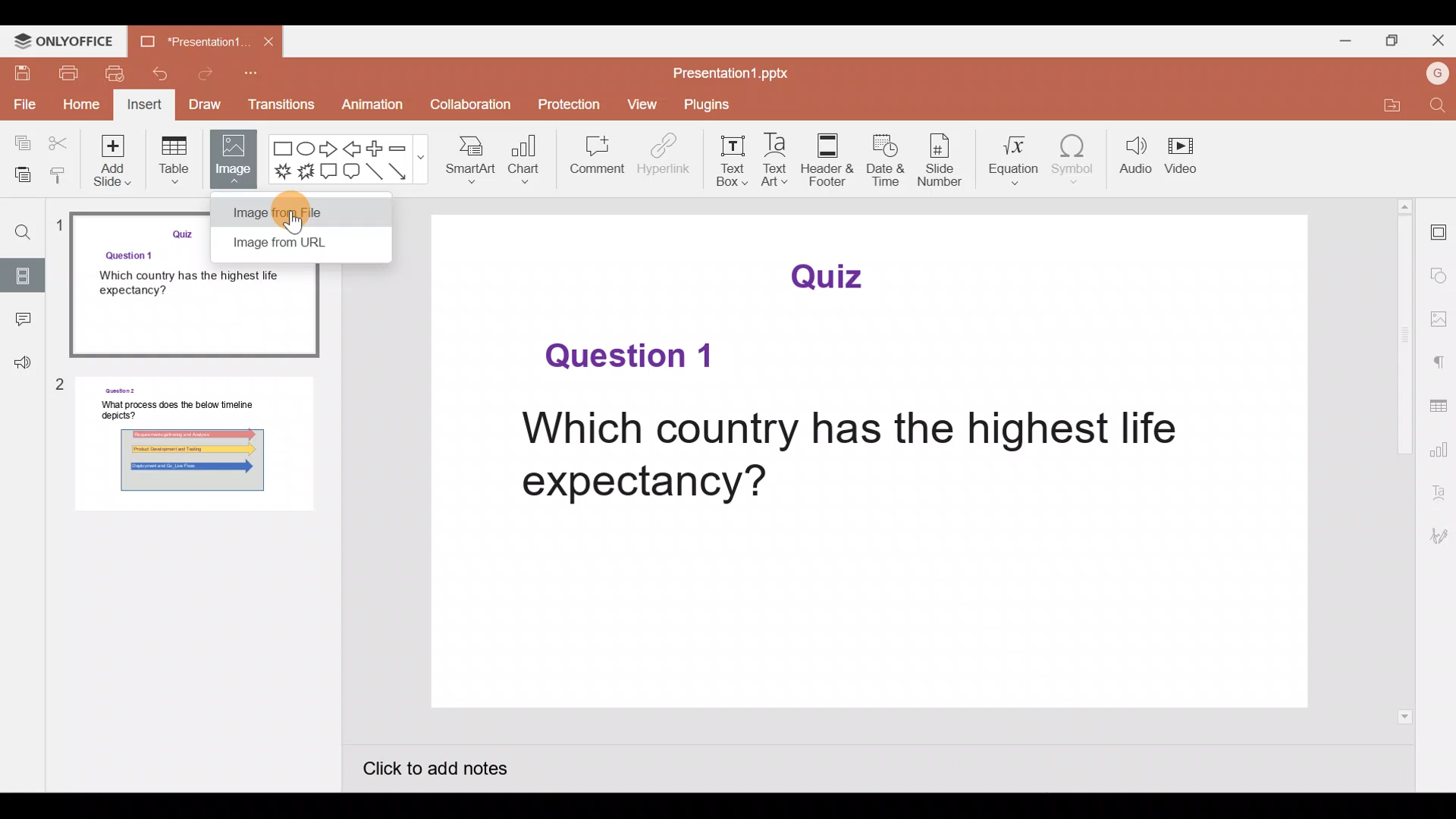 This screenshot has width=1456, height=819. Describe the element at coordinates (19, 143) in the screenshot. I see `Copy` at that location.